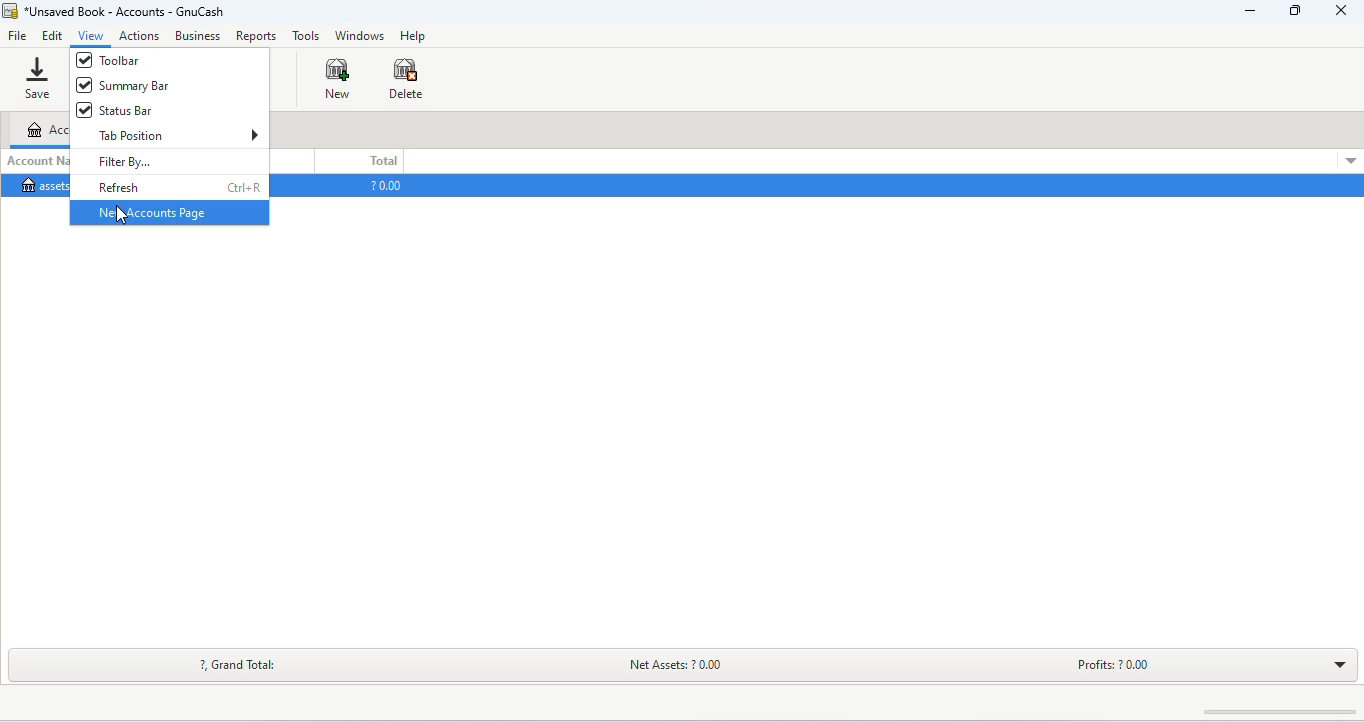  What do you see at coordinates (178, 136) in the screenshot?
I see `tab position` at bounding box center [178, 136].